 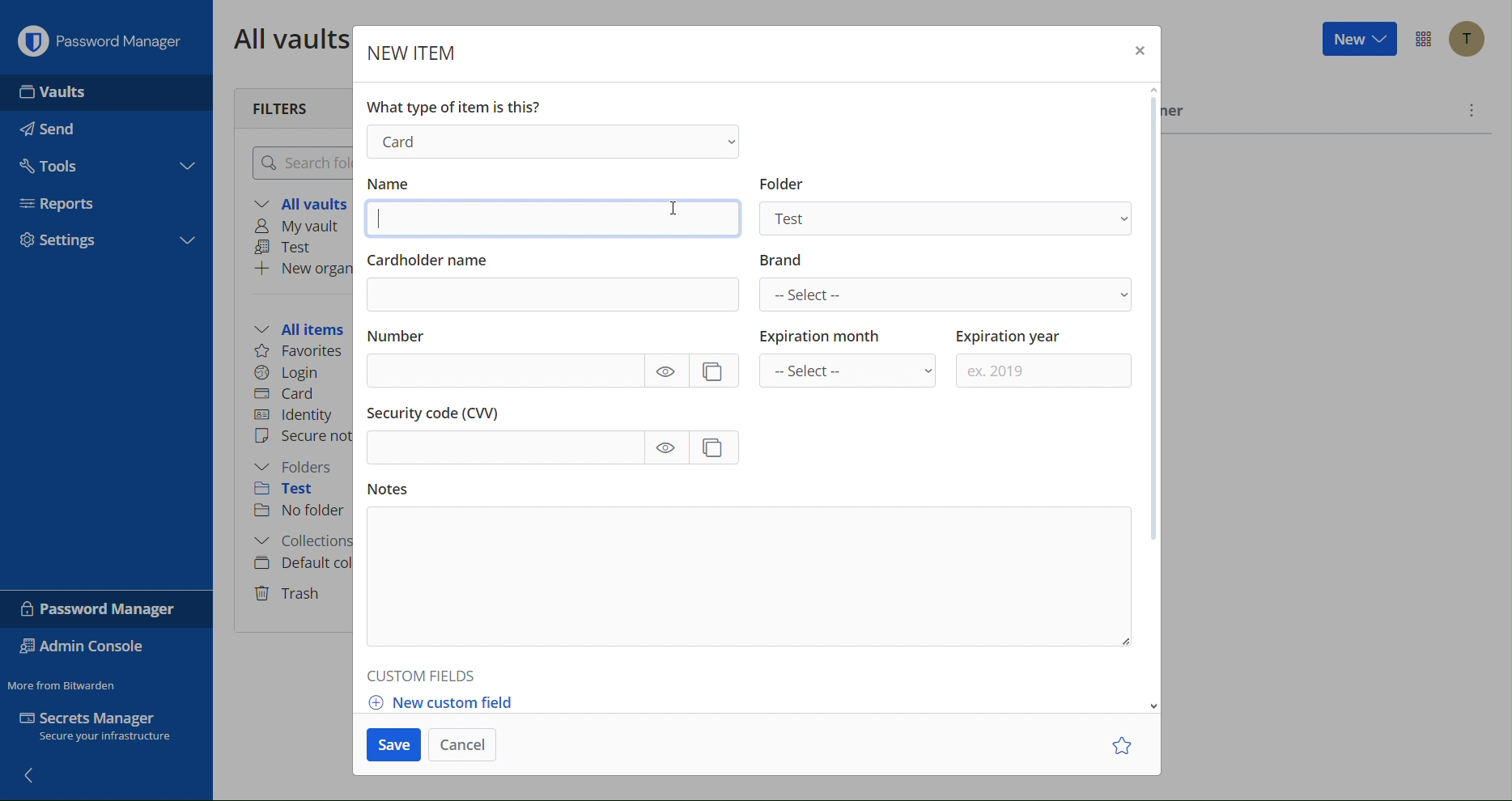 What do you see at coordinates (301, 269) in the screenshot?
I see `New organization` at bounding box center [301, 269].